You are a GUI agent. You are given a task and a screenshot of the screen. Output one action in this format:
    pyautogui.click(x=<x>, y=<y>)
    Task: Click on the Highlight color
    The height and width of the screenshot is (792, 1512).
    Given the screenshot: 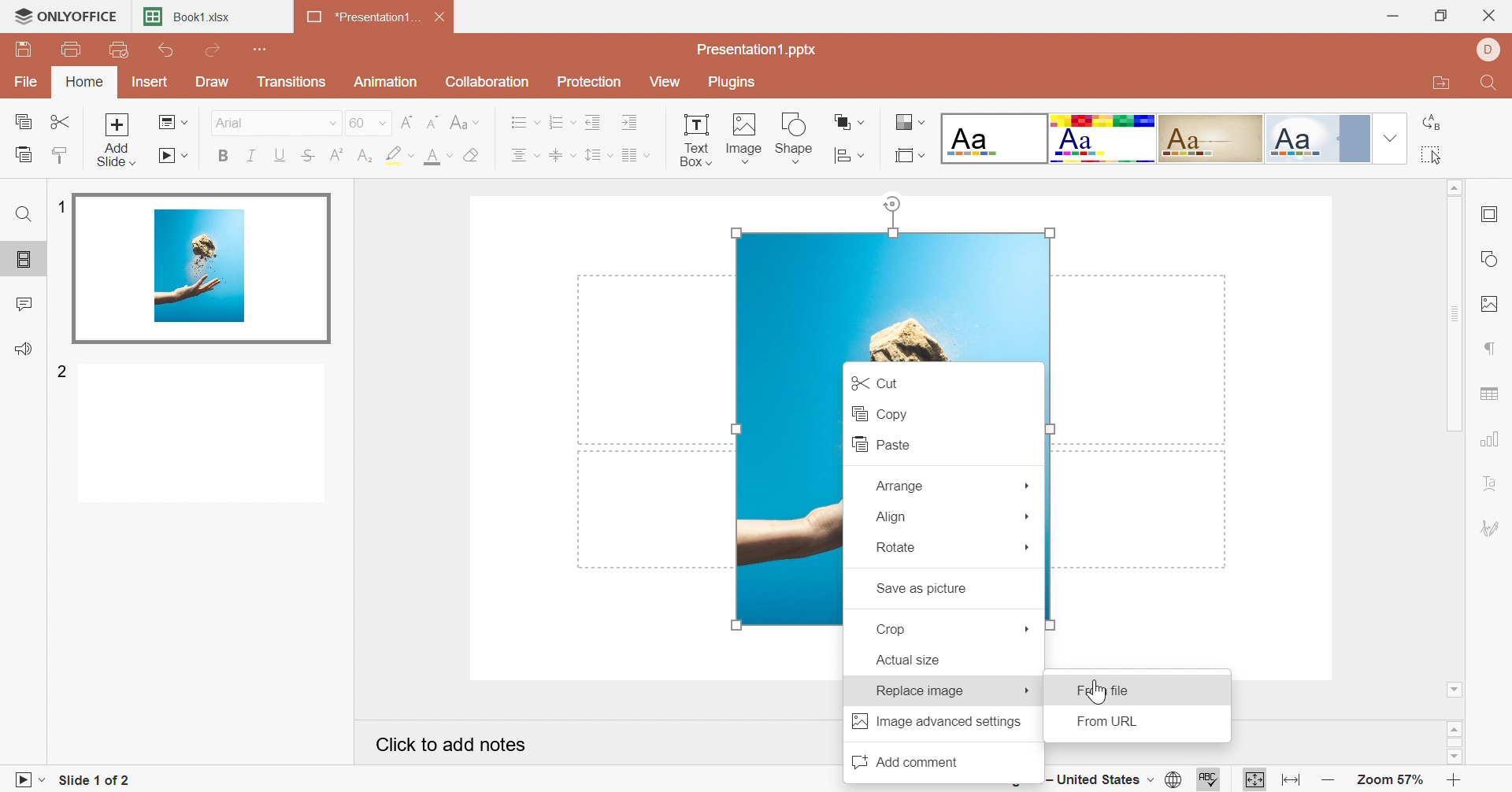 What is the action you would take?
    pyautogui.click(x=400, y=156)
    